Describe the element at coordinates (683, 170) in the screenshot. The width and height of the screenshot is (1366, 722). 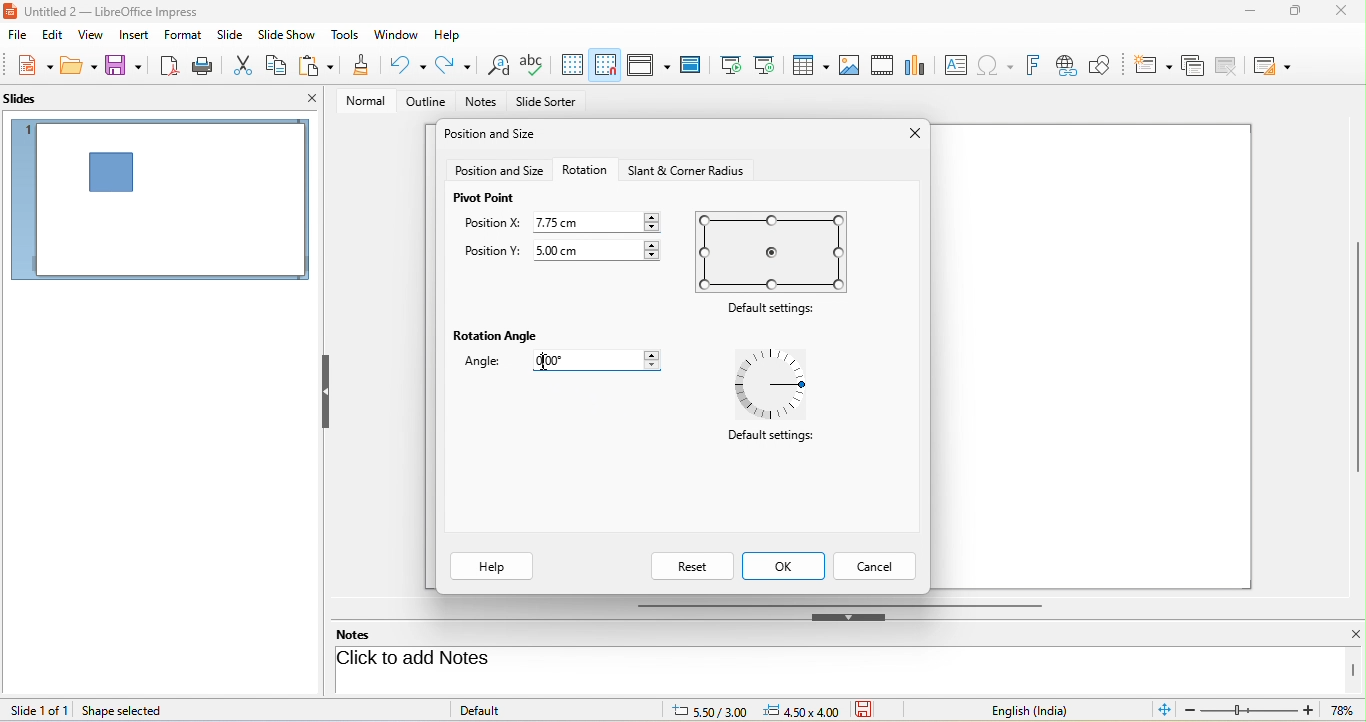
I see `slant and corner radius` at that location.